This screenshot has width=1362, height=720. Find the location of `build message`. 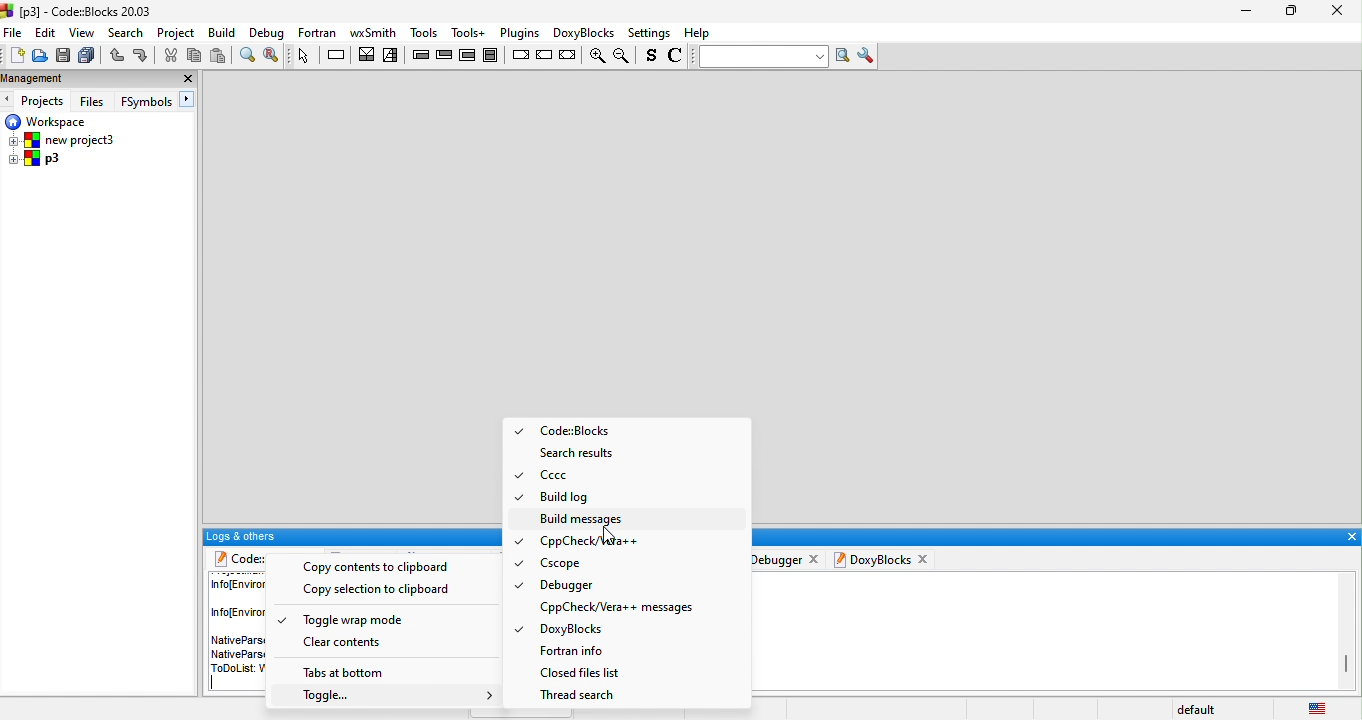

build message is located at coordinates (585, 518).